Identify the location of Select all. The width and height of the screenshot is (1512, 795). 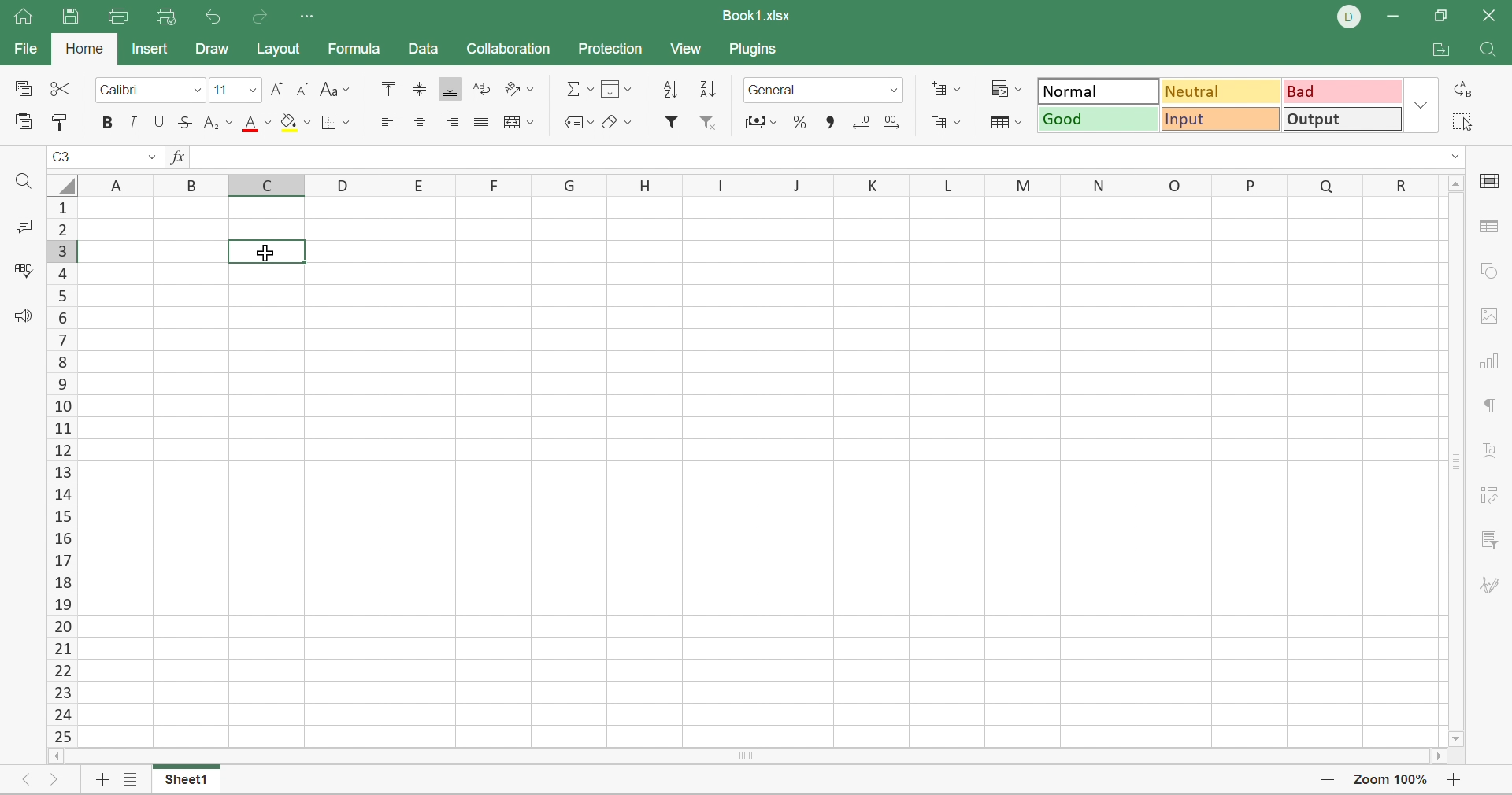
(1462, 123).